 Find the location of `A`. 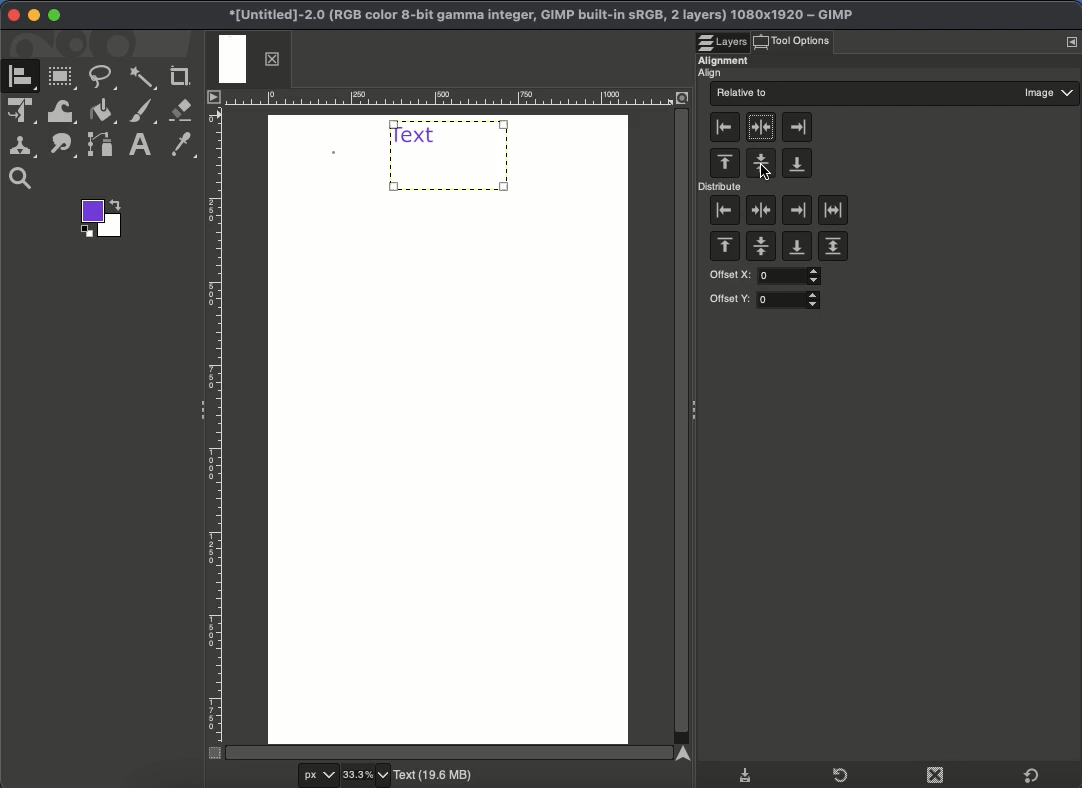

A is located at coordinates (24, 78).